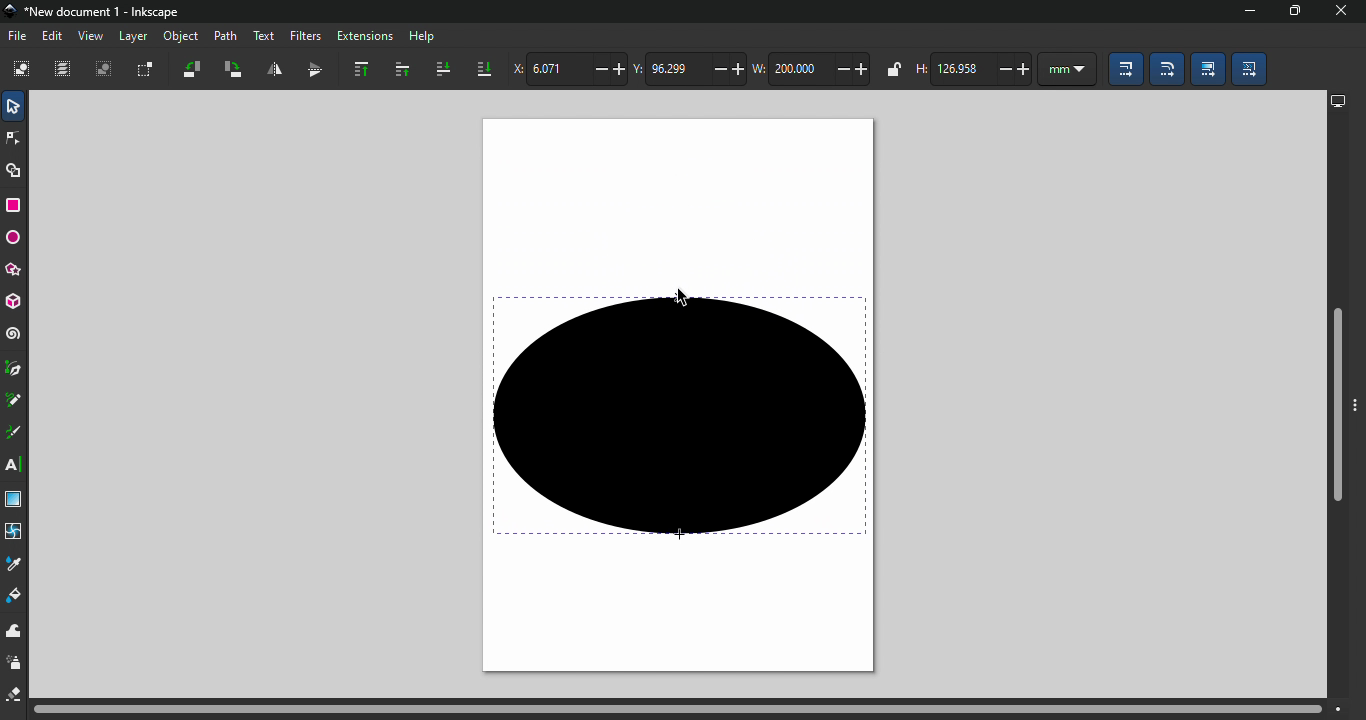 The width and height of the screenshot is (1366, 720). I want to click on Shape builder tool, so click(14, 171).